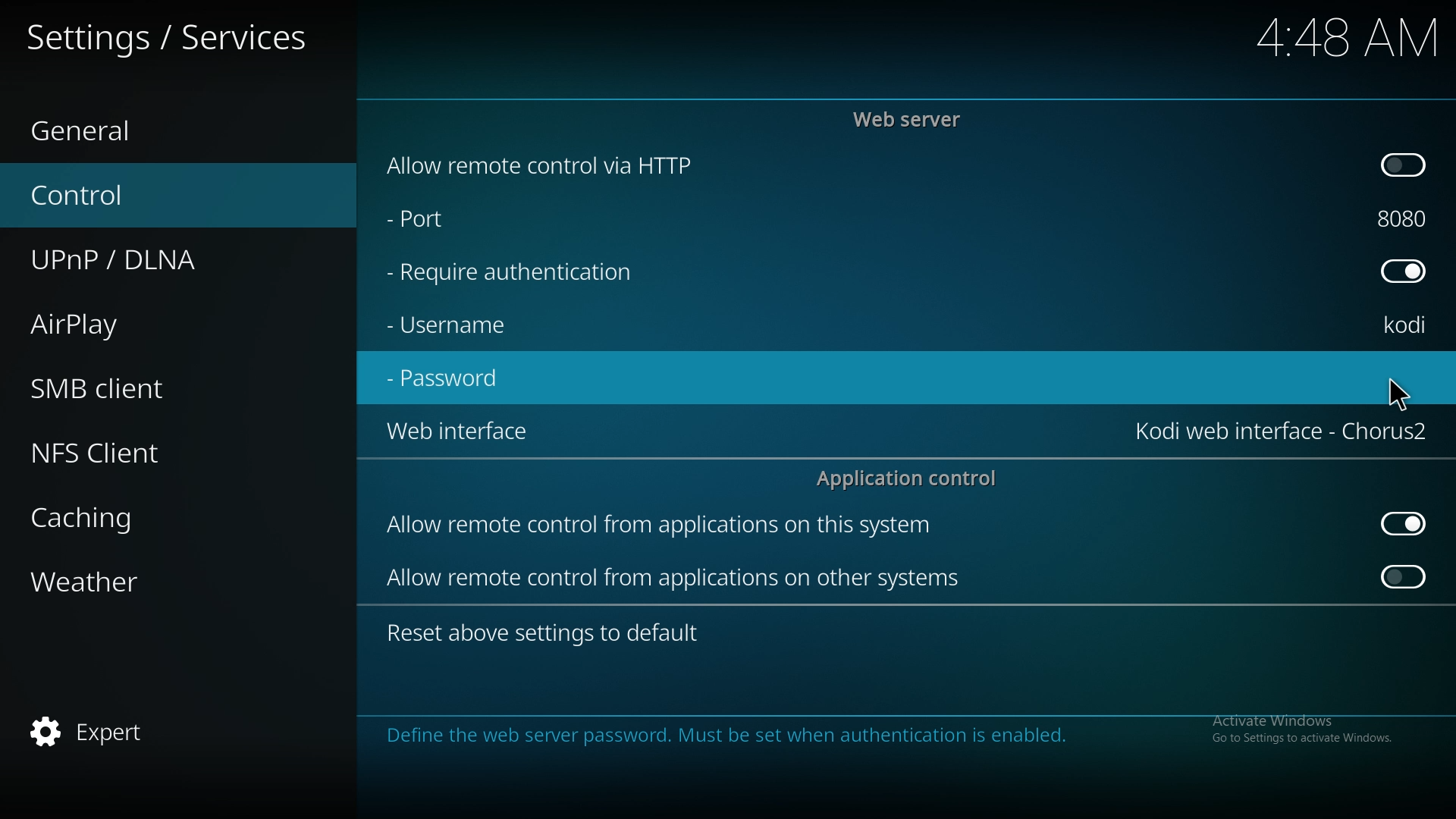 This screenshot has height=819, width=1456. What do you see at coordinates (912, 479) in the screenshot?
I see `application control` at bounding box center [912, 479].